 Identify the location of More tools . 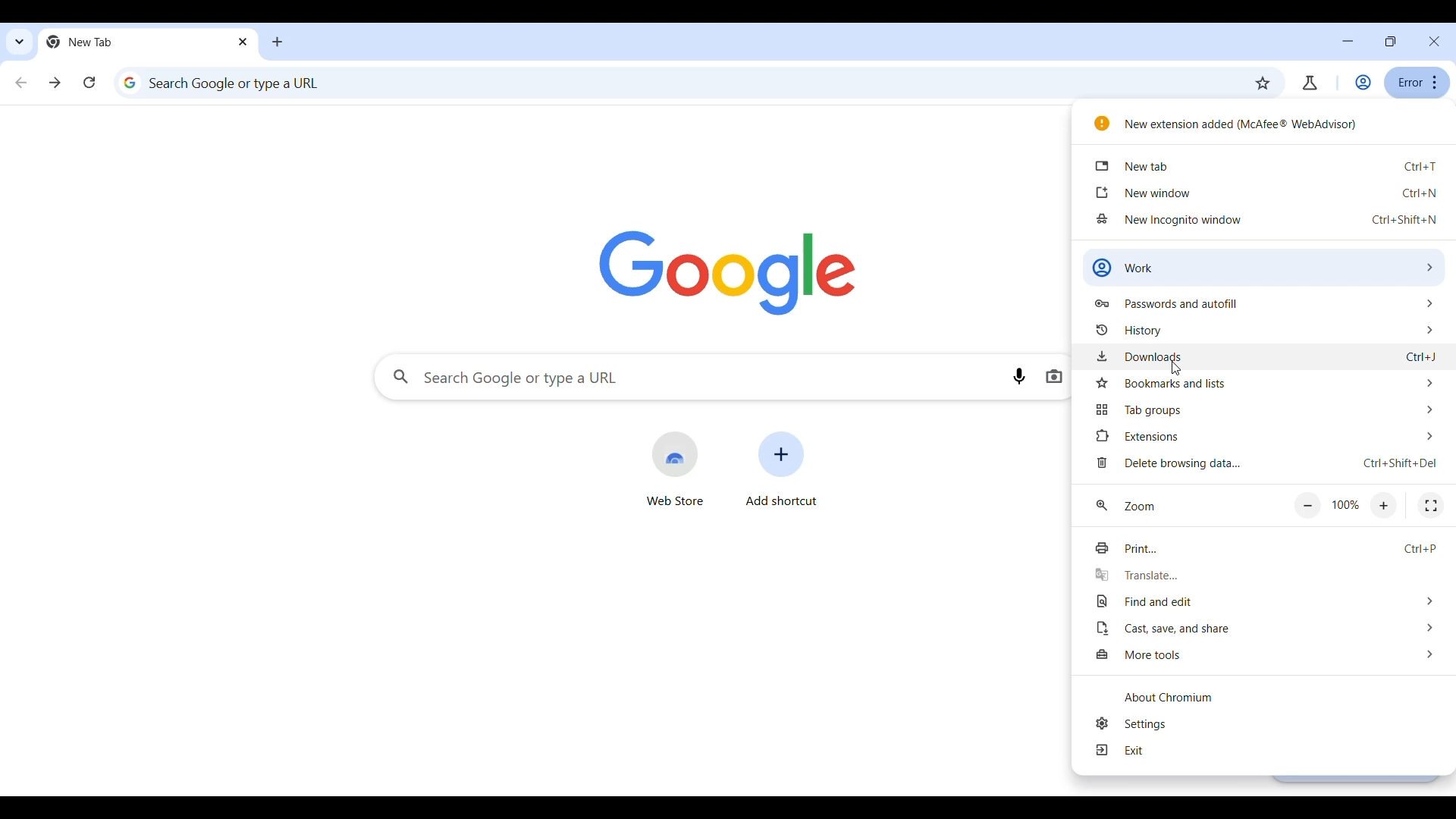
(1265, 655).